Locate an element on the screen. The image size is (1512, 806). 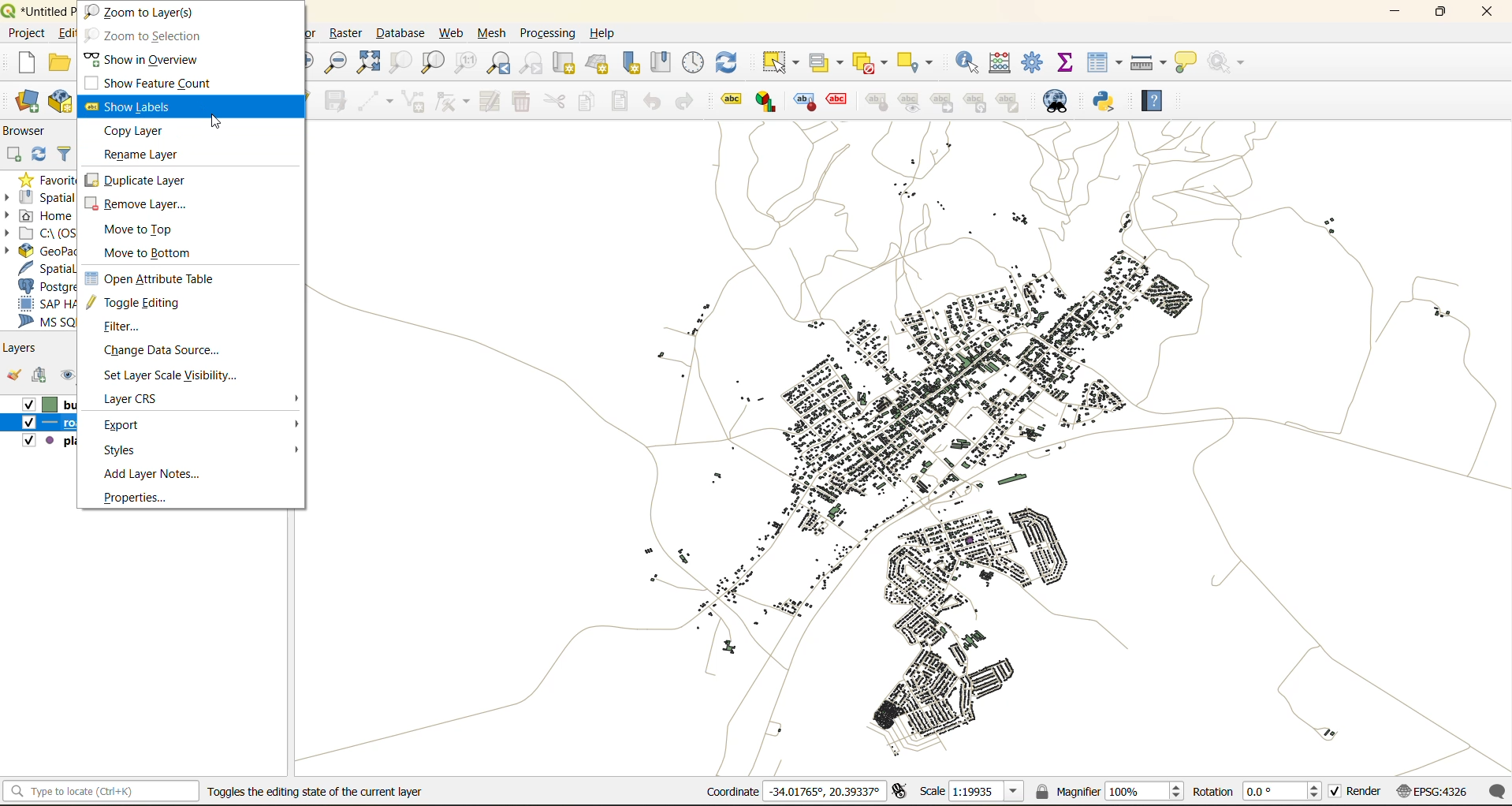
browser is located at coordinates (30, 132).